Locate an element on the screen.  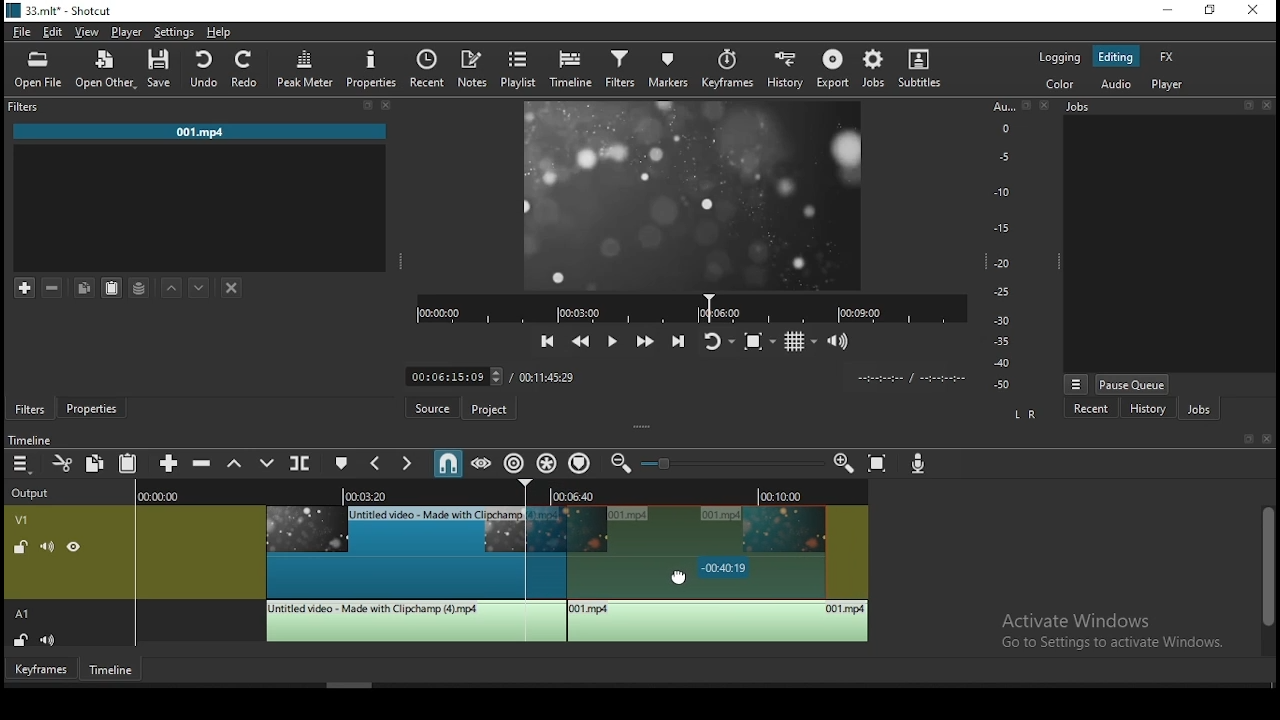
minimize is located at coordinates (1167, 10).